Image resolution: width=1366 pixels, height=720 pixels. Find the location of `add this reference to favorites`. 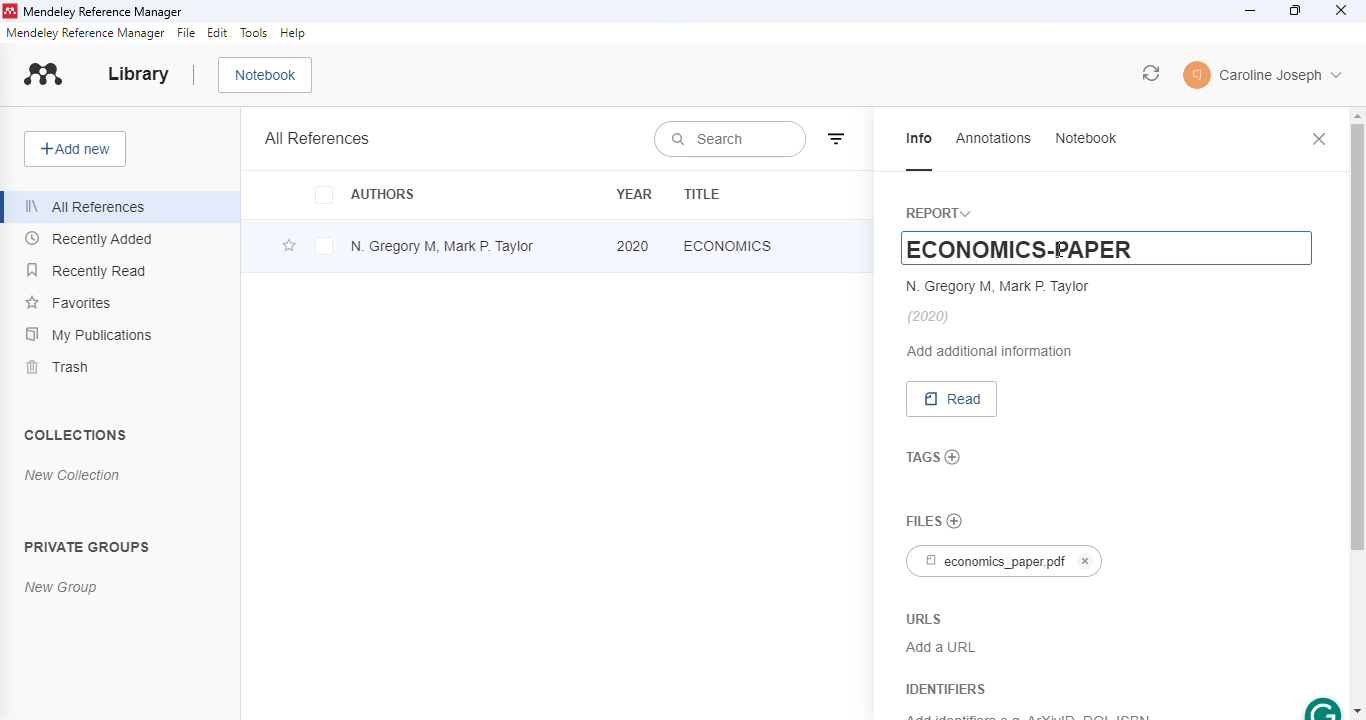

add this reference to favorites is located at coordinates (289, 247).